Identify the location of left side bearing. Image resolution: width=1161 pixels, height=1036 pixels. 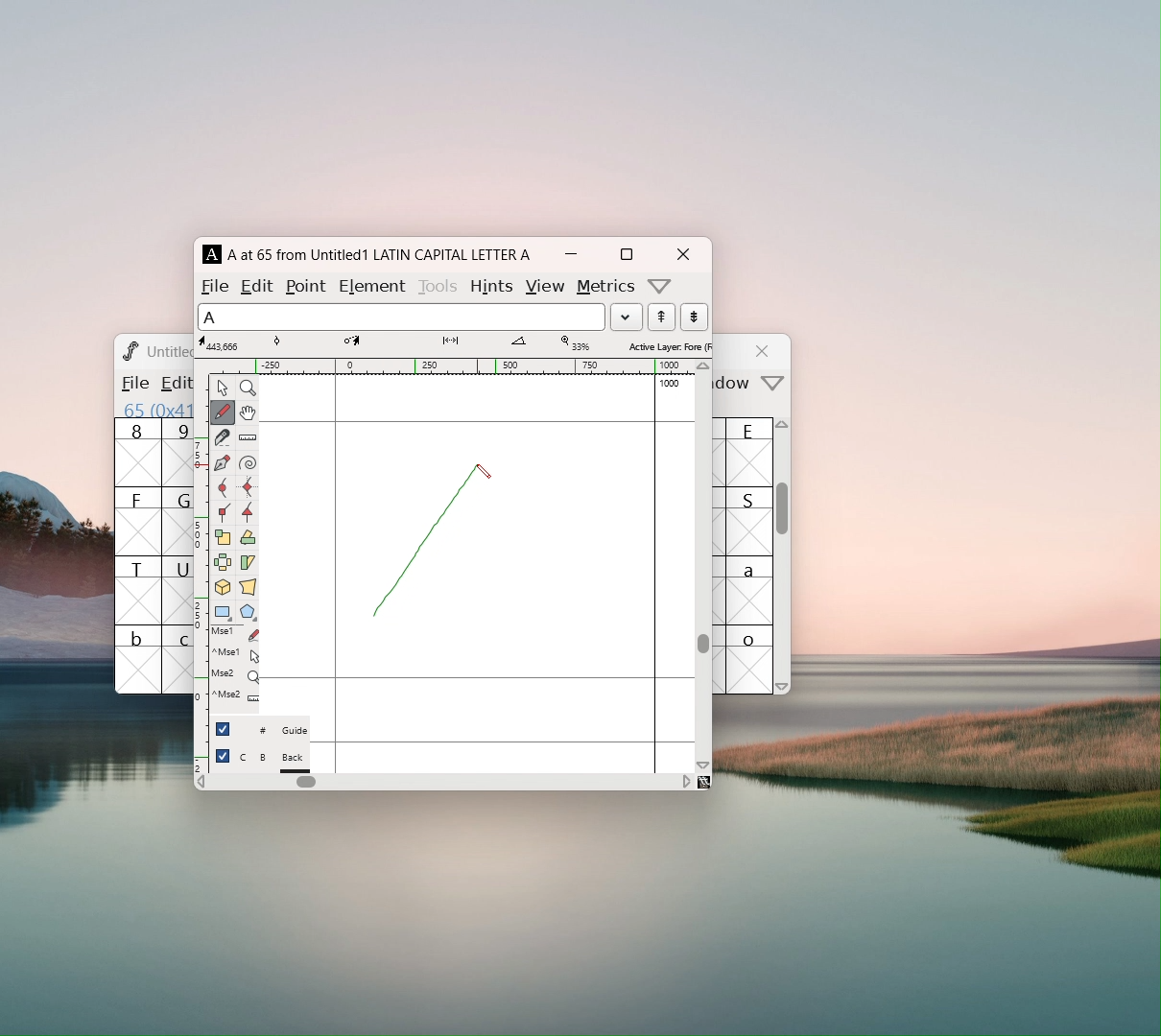
(336, 573).